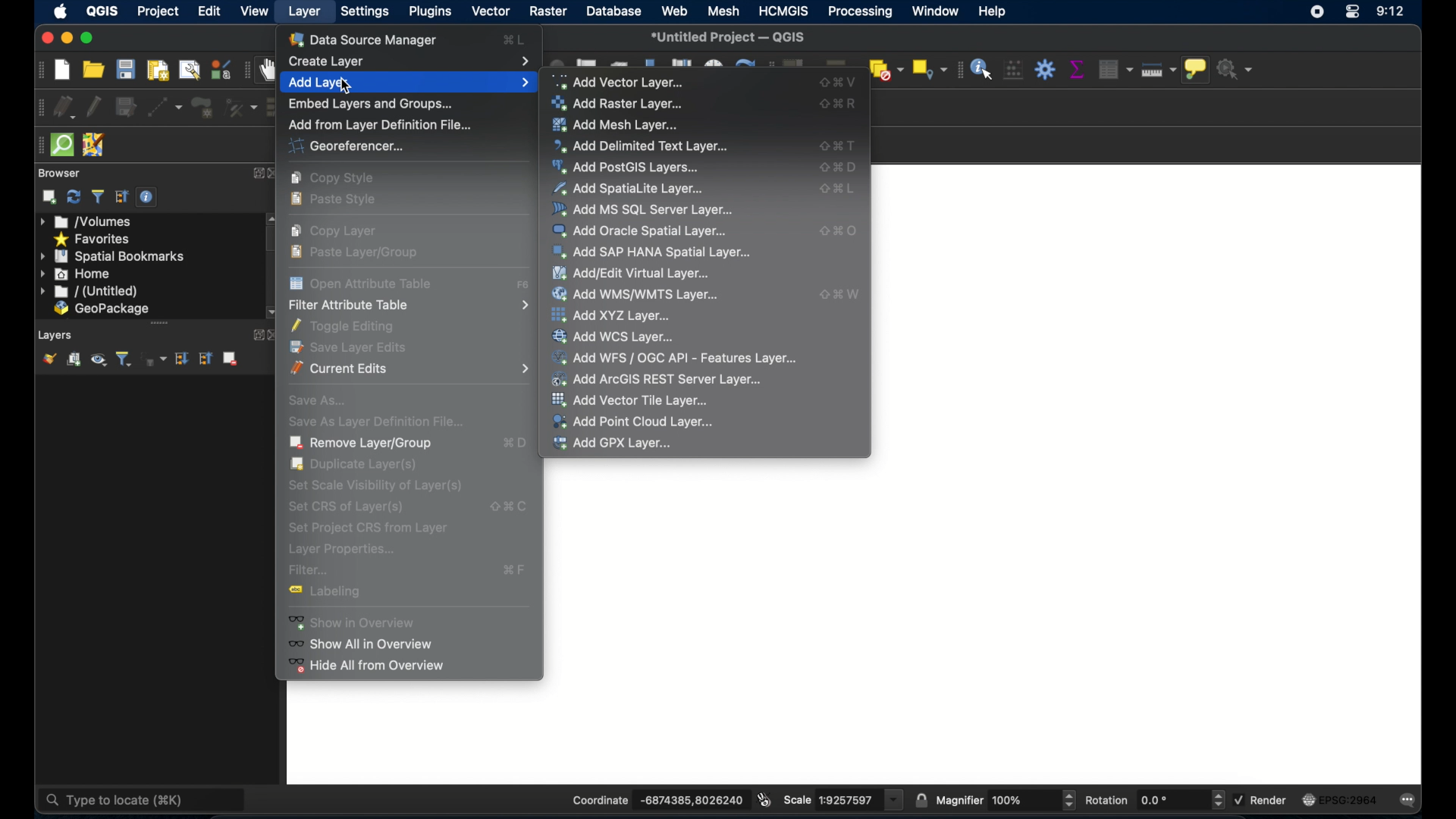 Image resolution: width=1456 pixels, height=819 pixels. I want to click on window, so click(935, 13).